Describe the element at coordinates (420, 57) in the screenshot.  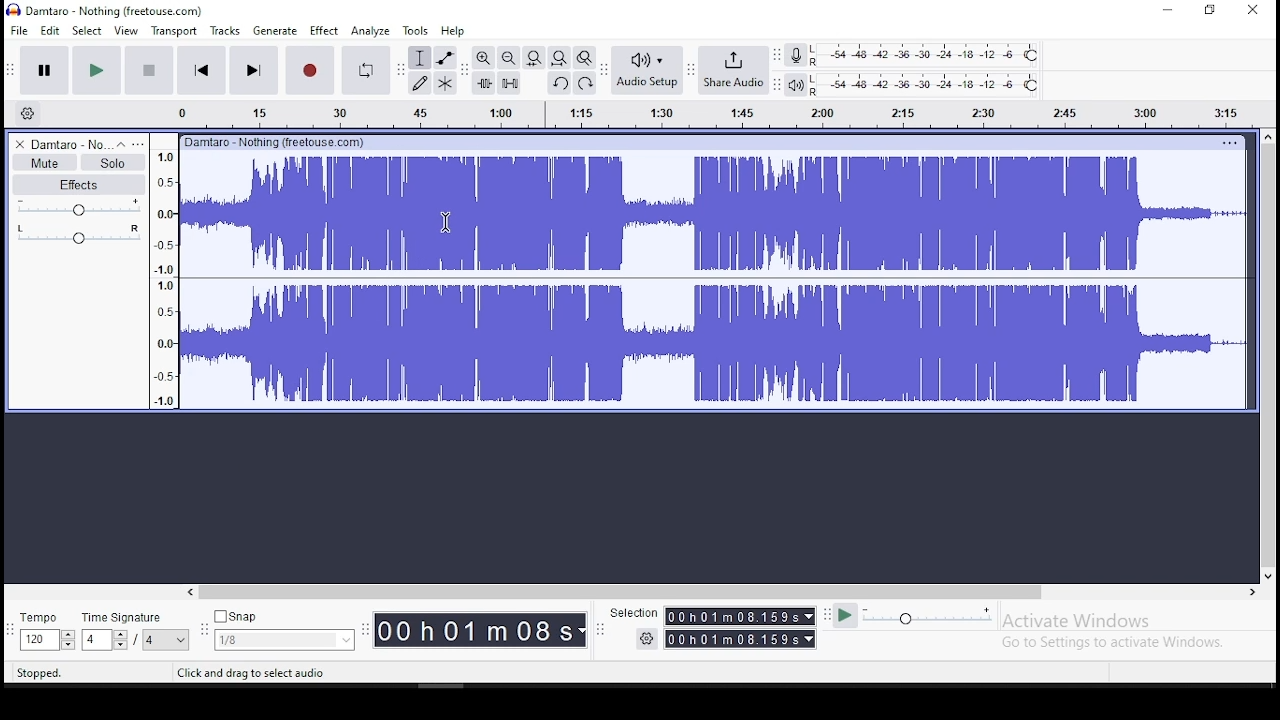
I see `selection tool` at that location.